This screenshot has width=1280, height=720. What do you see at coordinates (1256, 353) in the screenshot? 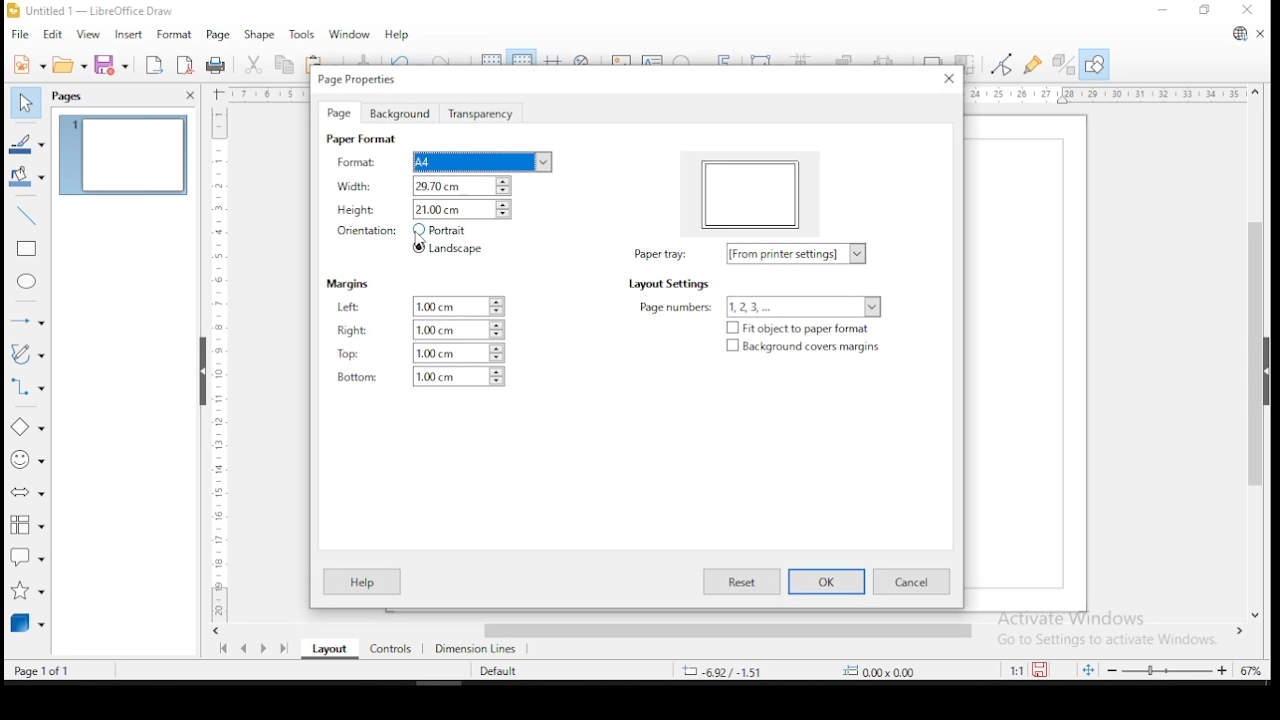
I see `scroll bar` at bounding box center [1256, 353].